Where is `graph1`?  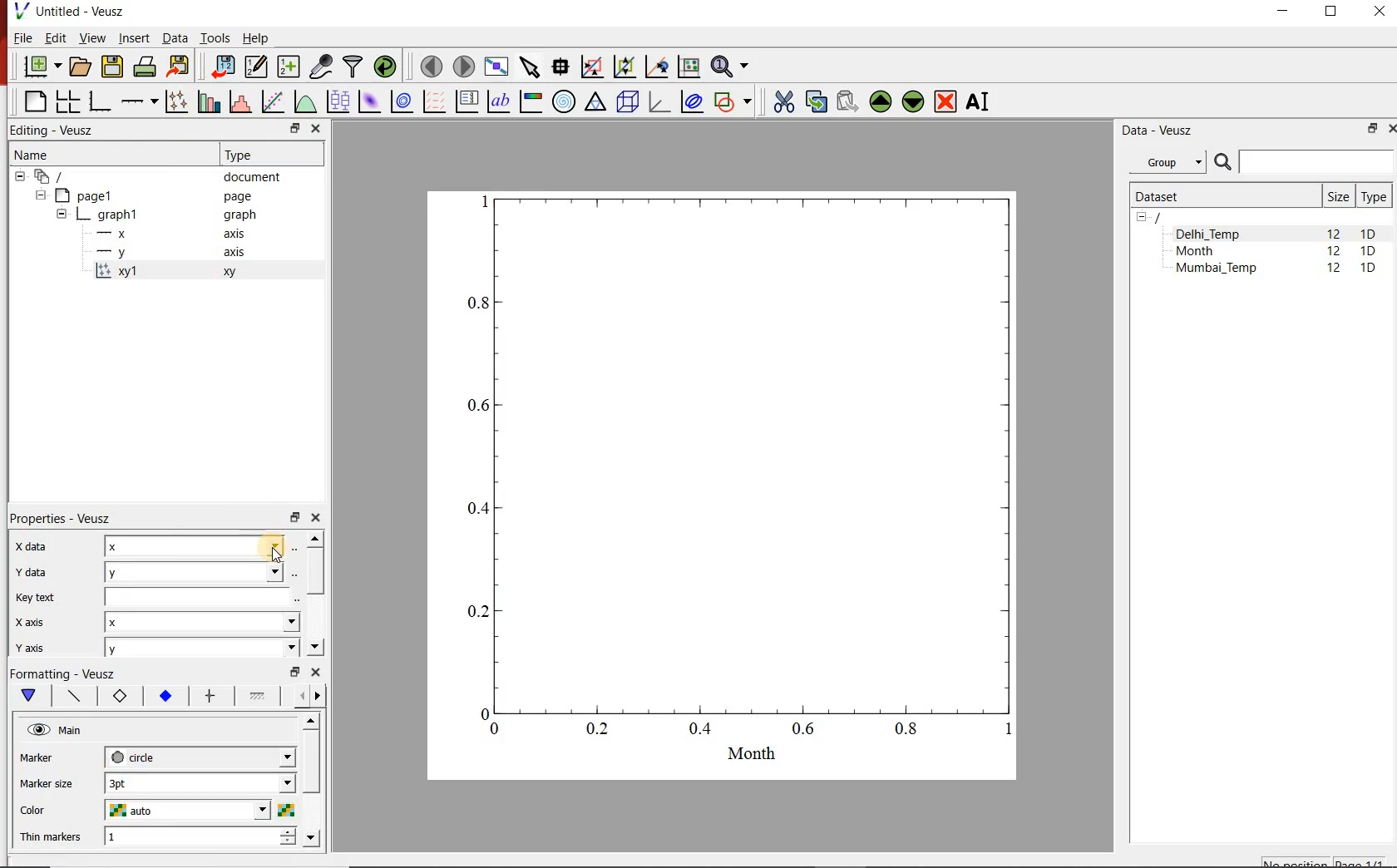 graph1 is located at coordinates (741, 474).